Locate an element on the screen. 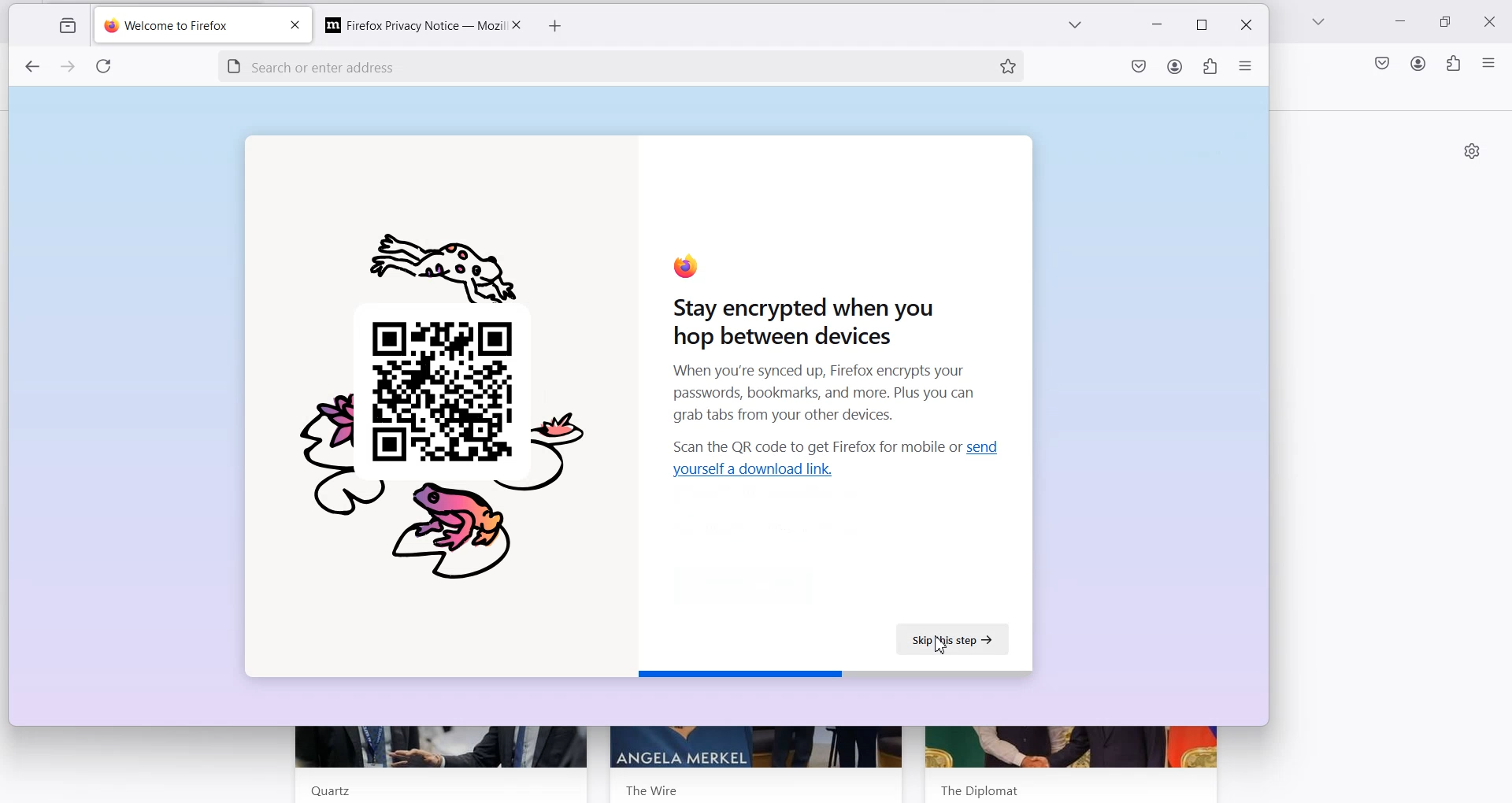  Text 2 is located at coordinates (834, 447).